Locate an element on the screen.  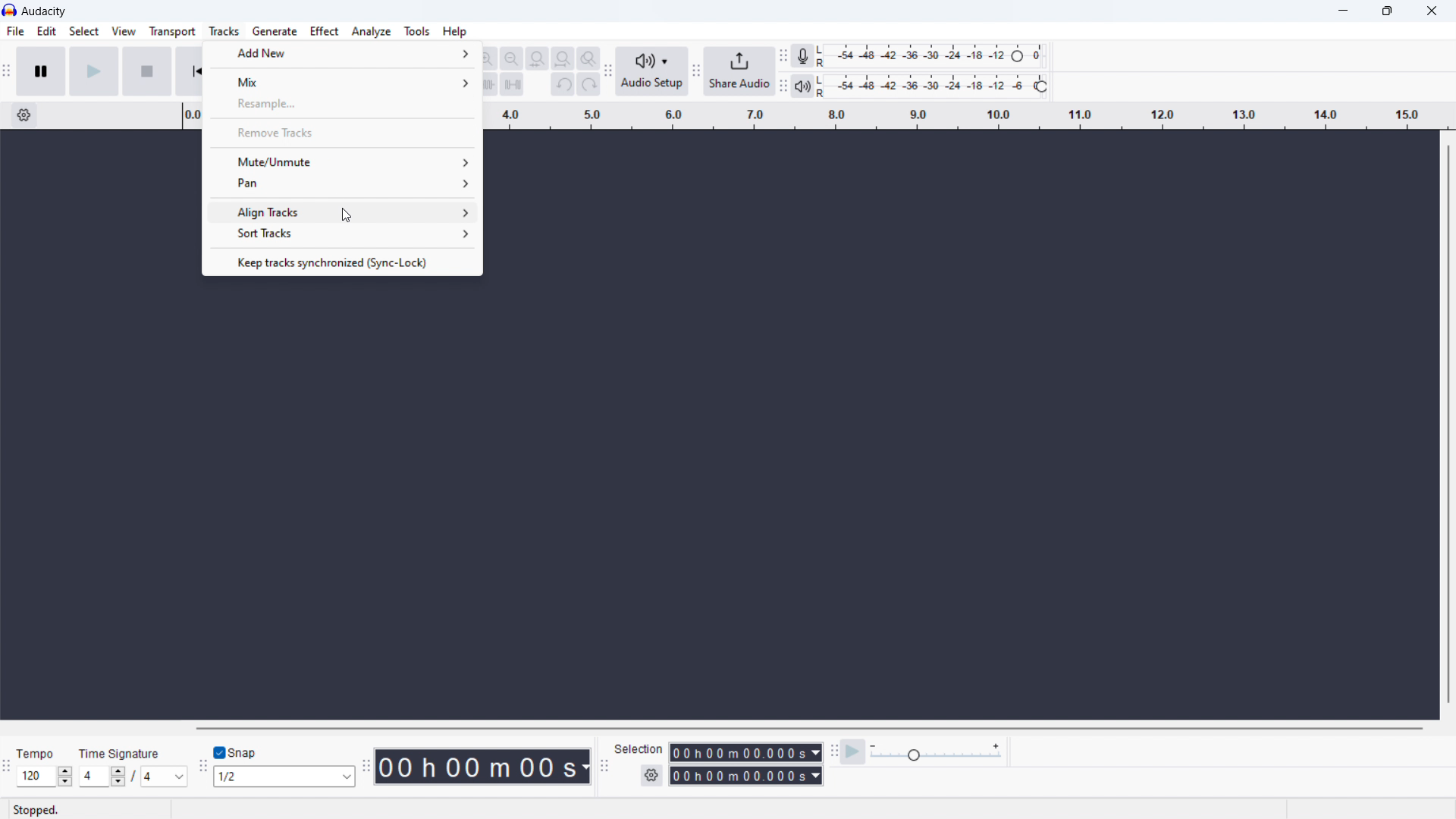
adjust tempo is located at coordinates (45, 777).